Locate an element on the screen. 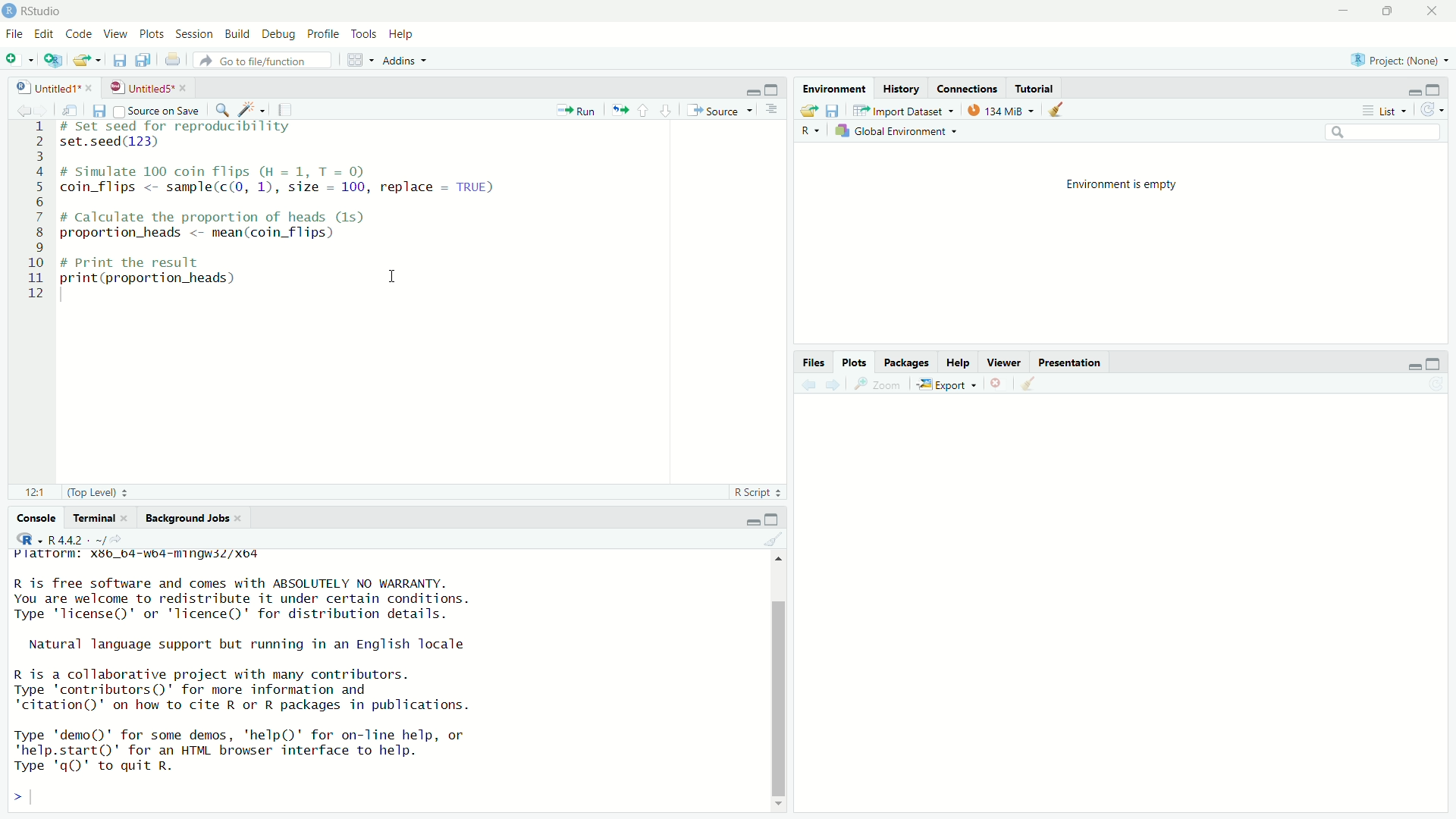  minimize is located at coordinates (1345, 11).